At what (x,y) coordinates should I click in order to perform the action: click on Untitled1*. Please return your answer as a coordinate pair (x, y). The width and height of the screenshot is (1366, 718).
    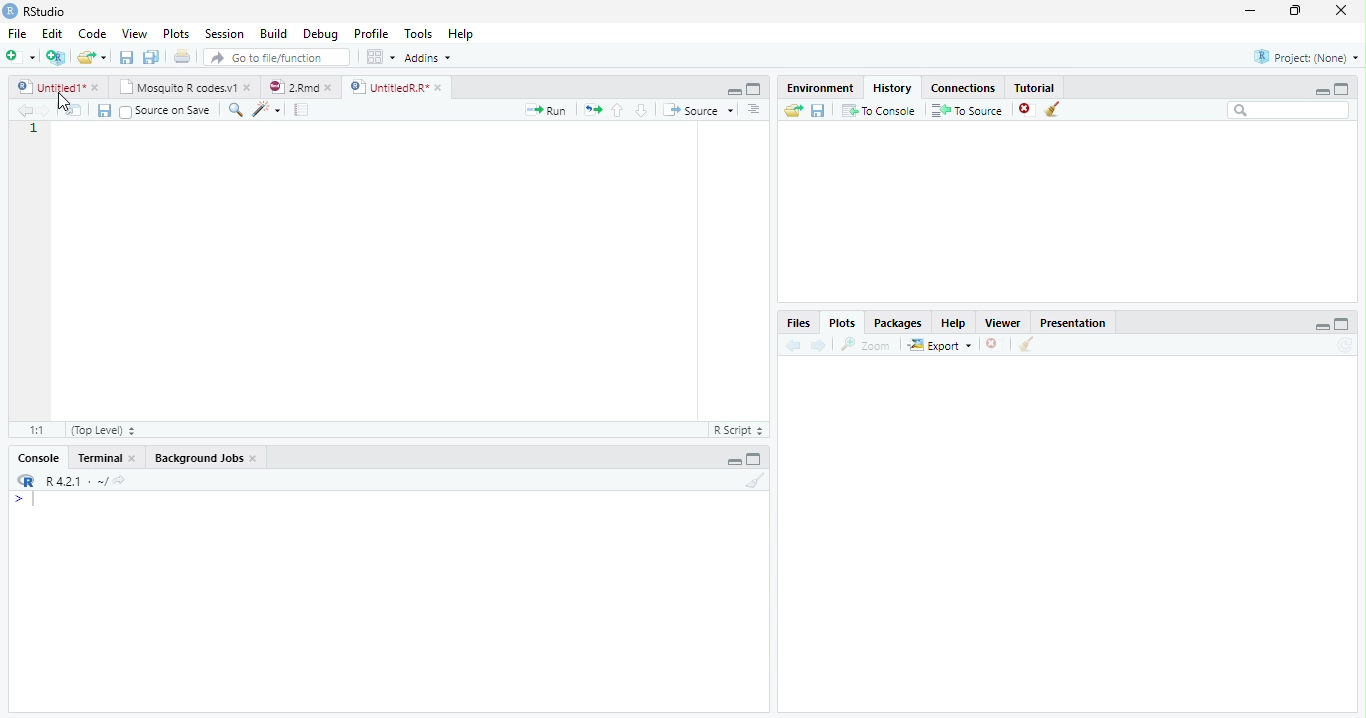
    Looking at the image, I should click on (50, 88).